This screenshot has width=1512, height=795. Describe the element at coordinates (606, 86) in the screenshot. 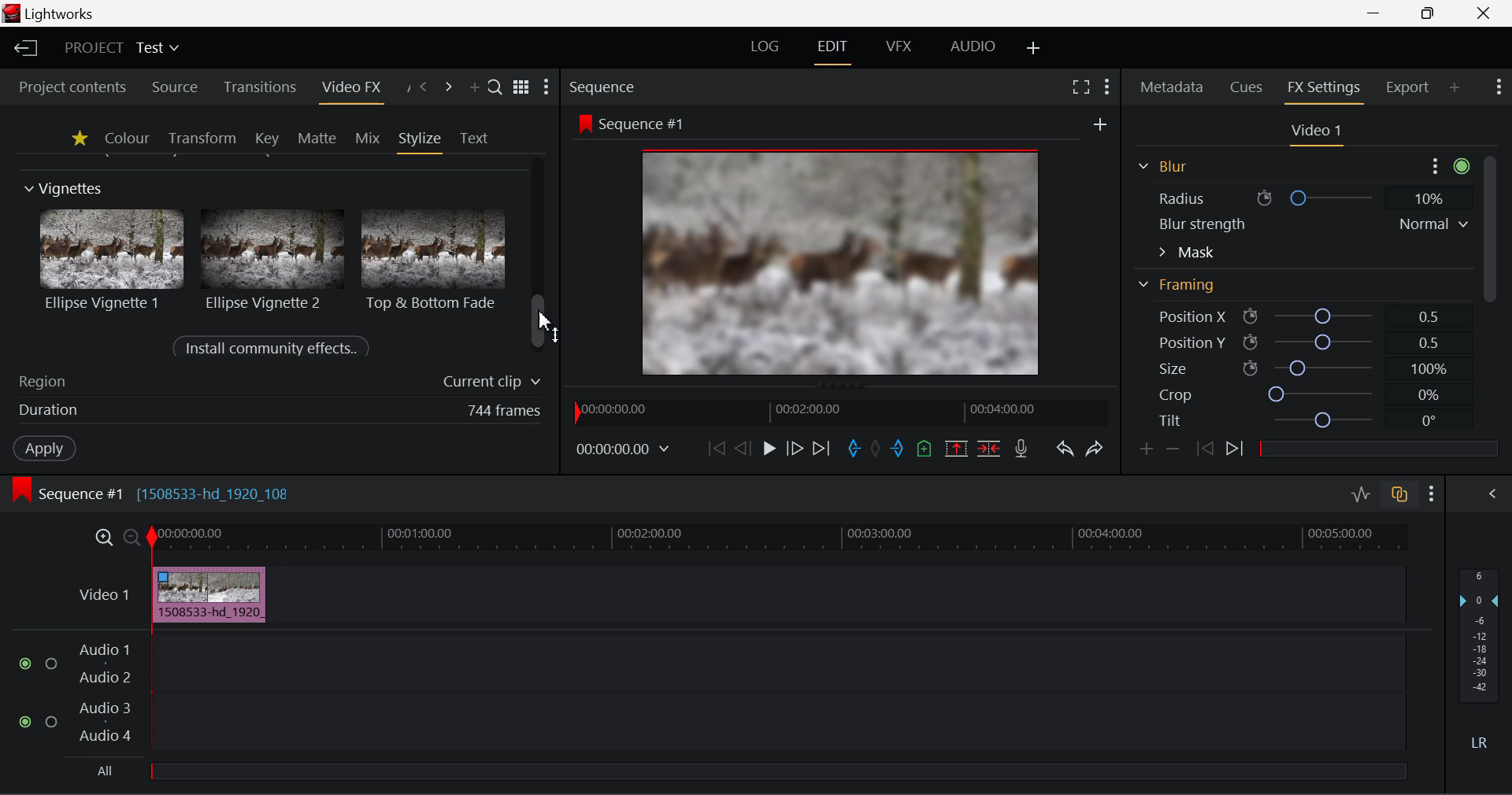

I see `Sequence Preview Section` at that location.